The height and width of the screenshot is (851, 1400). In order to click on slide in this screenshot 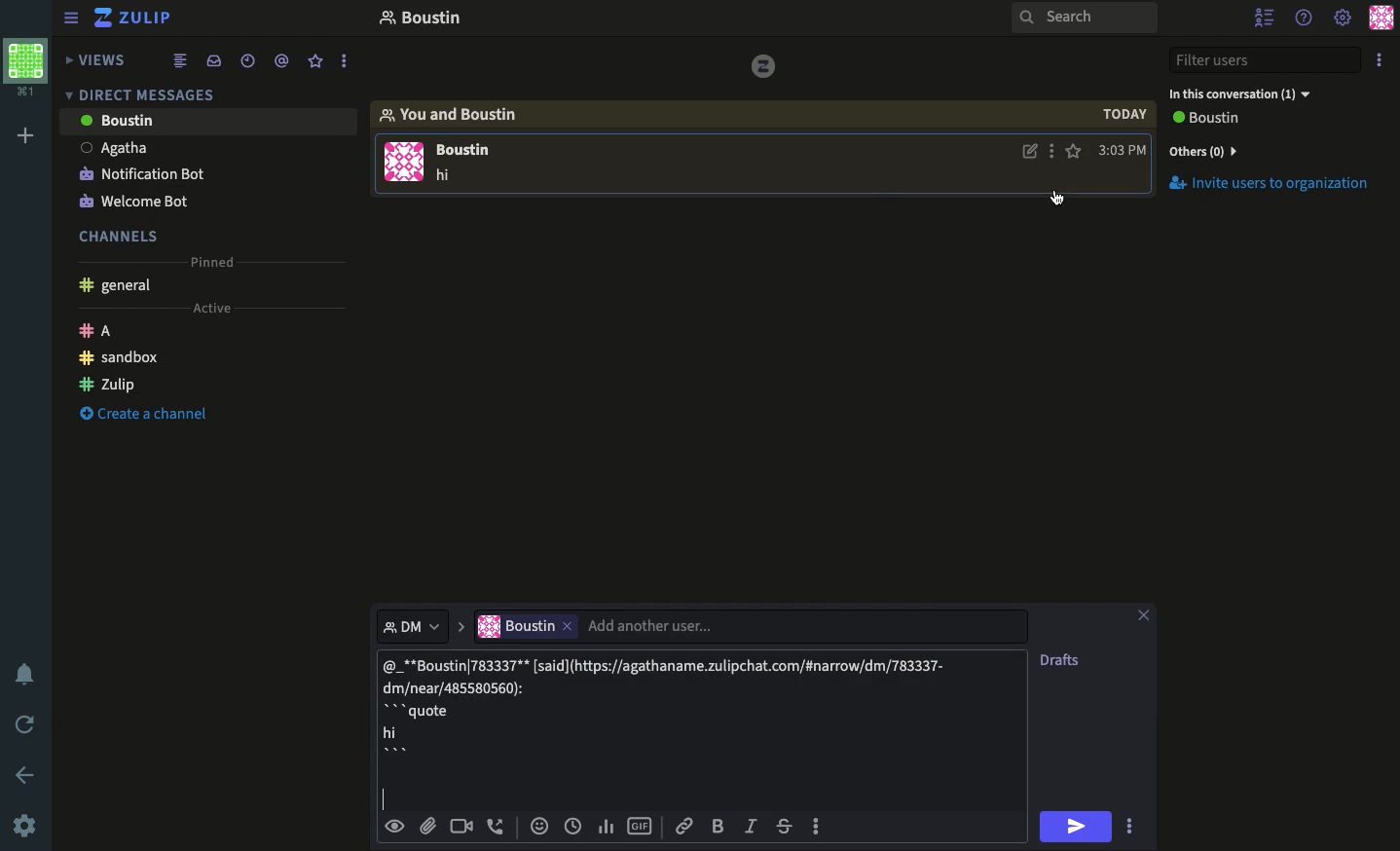, I will do `click(460, 621)`.